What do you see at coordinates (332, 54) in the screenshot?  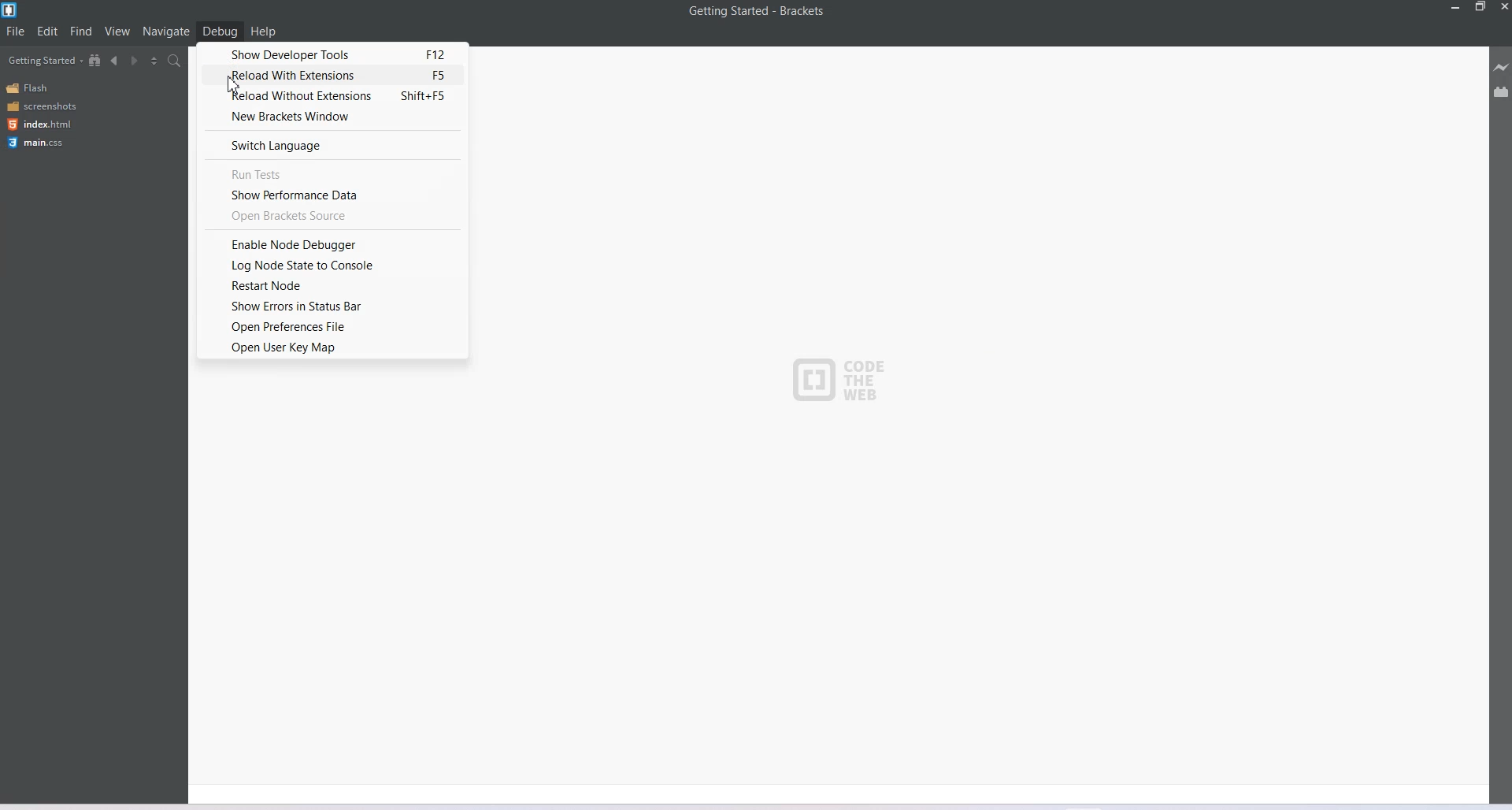 I see `Show developer tools` at bounding box center [332, 54].